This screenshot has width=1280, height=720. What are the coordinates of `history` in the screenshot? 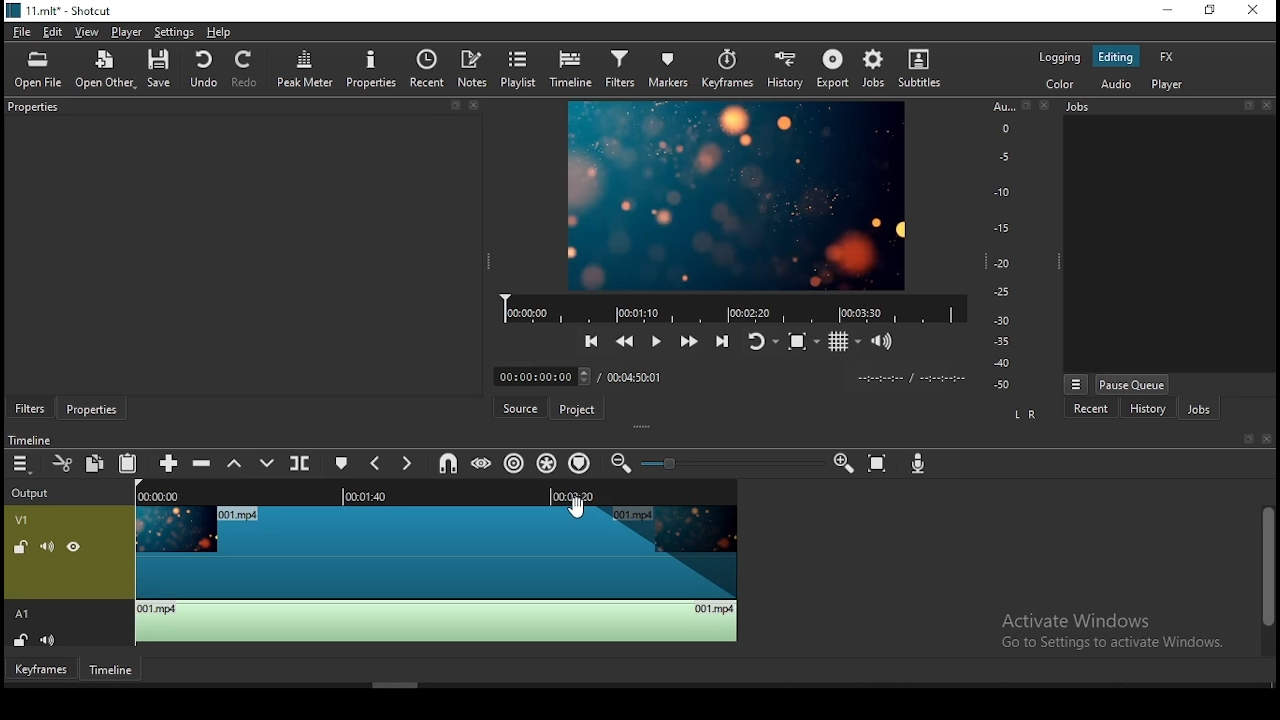 It's located at (1139, 410).